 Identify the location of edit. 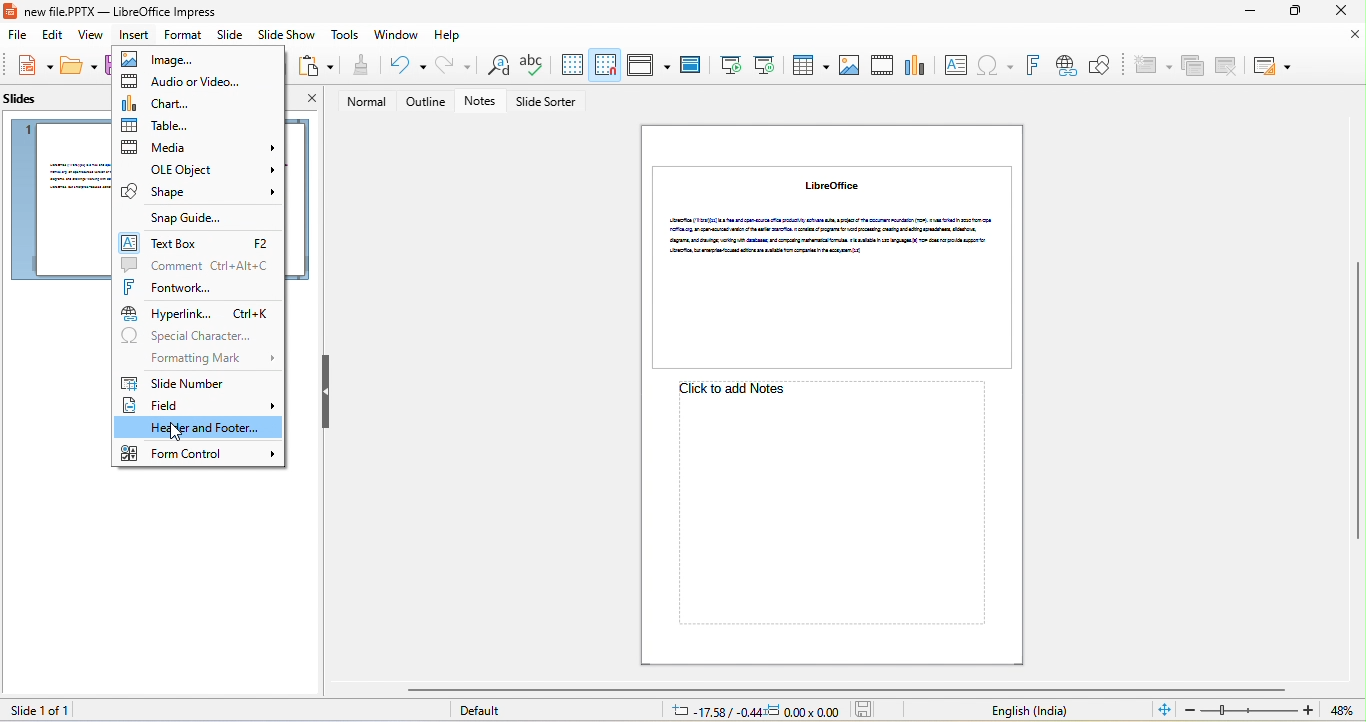
(50, 37).